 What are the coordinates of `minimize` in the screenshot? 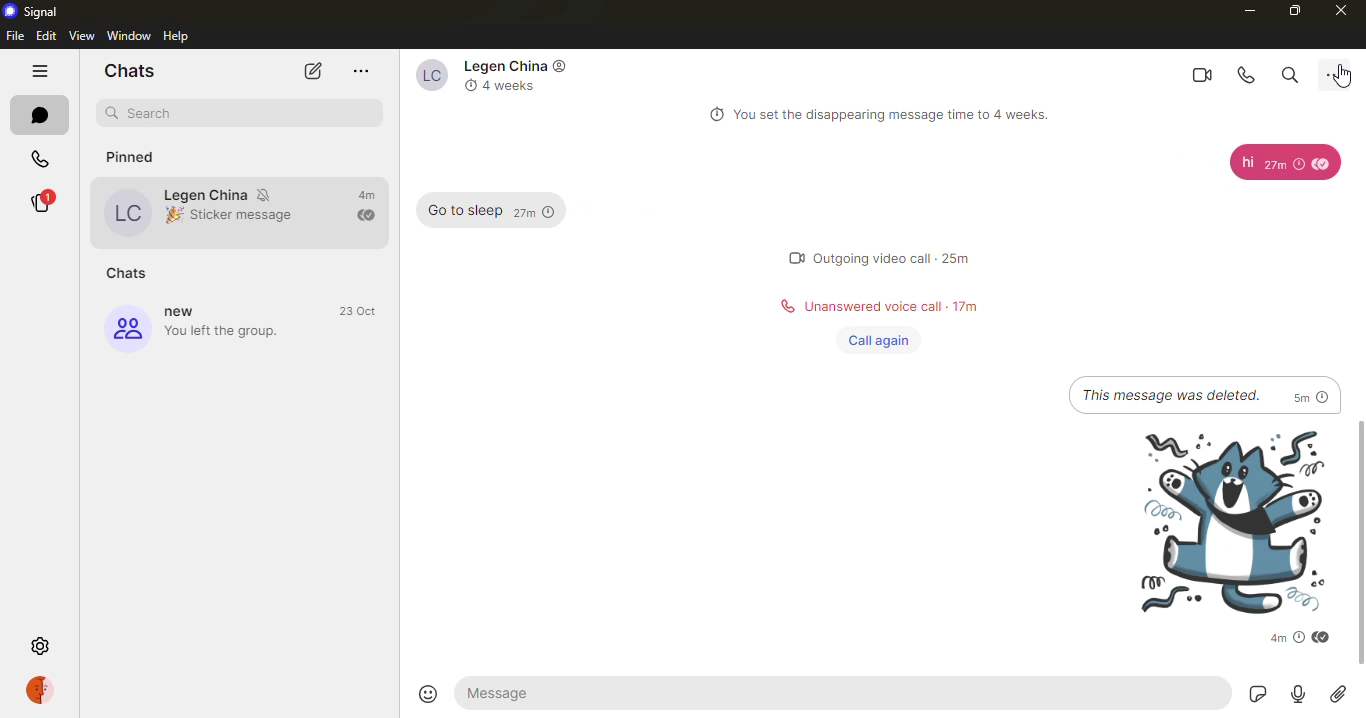 It's located at (1247, 10).